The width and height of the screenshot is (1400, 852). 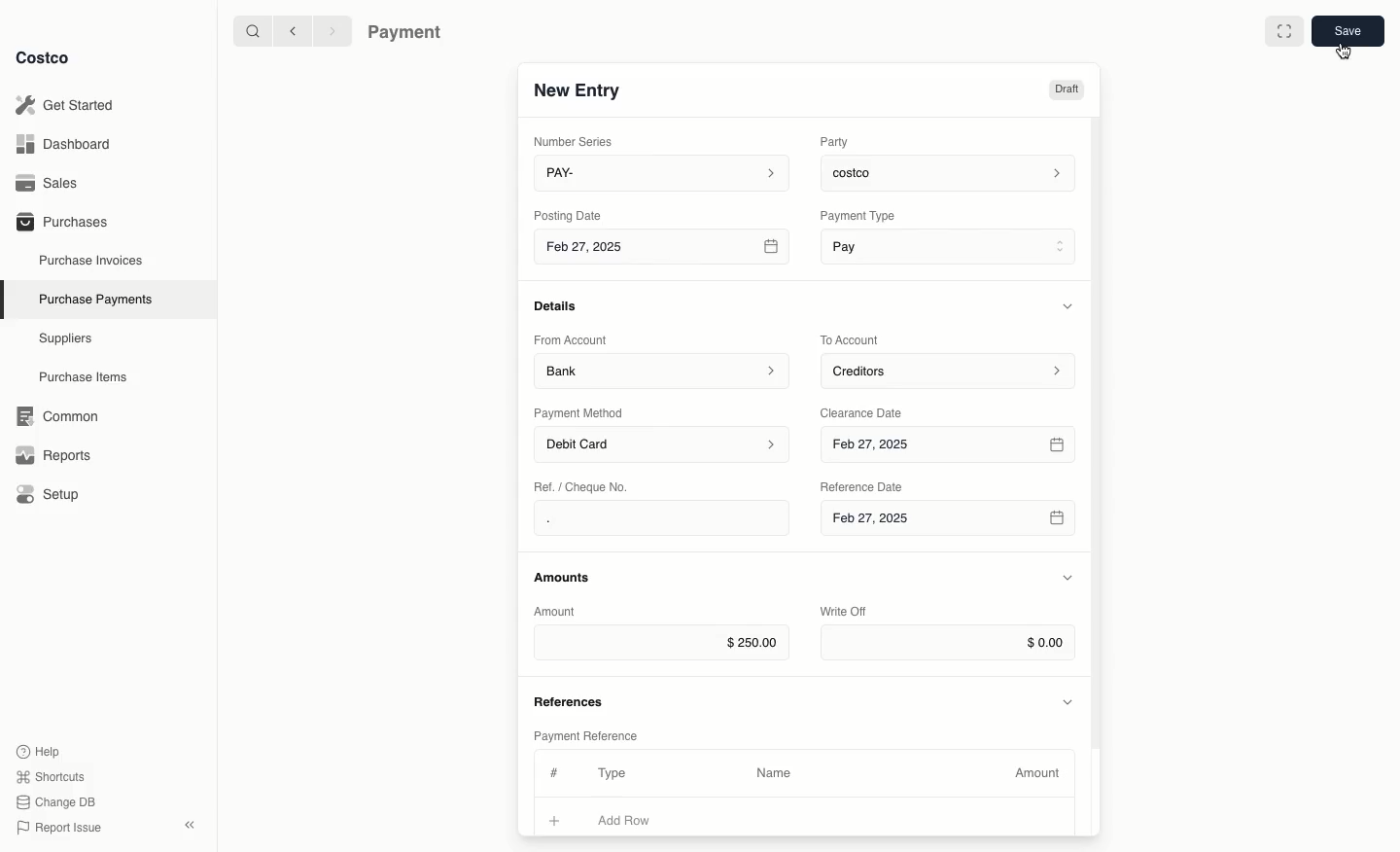 I want to click on cursor, so click(x=1343, y=55).